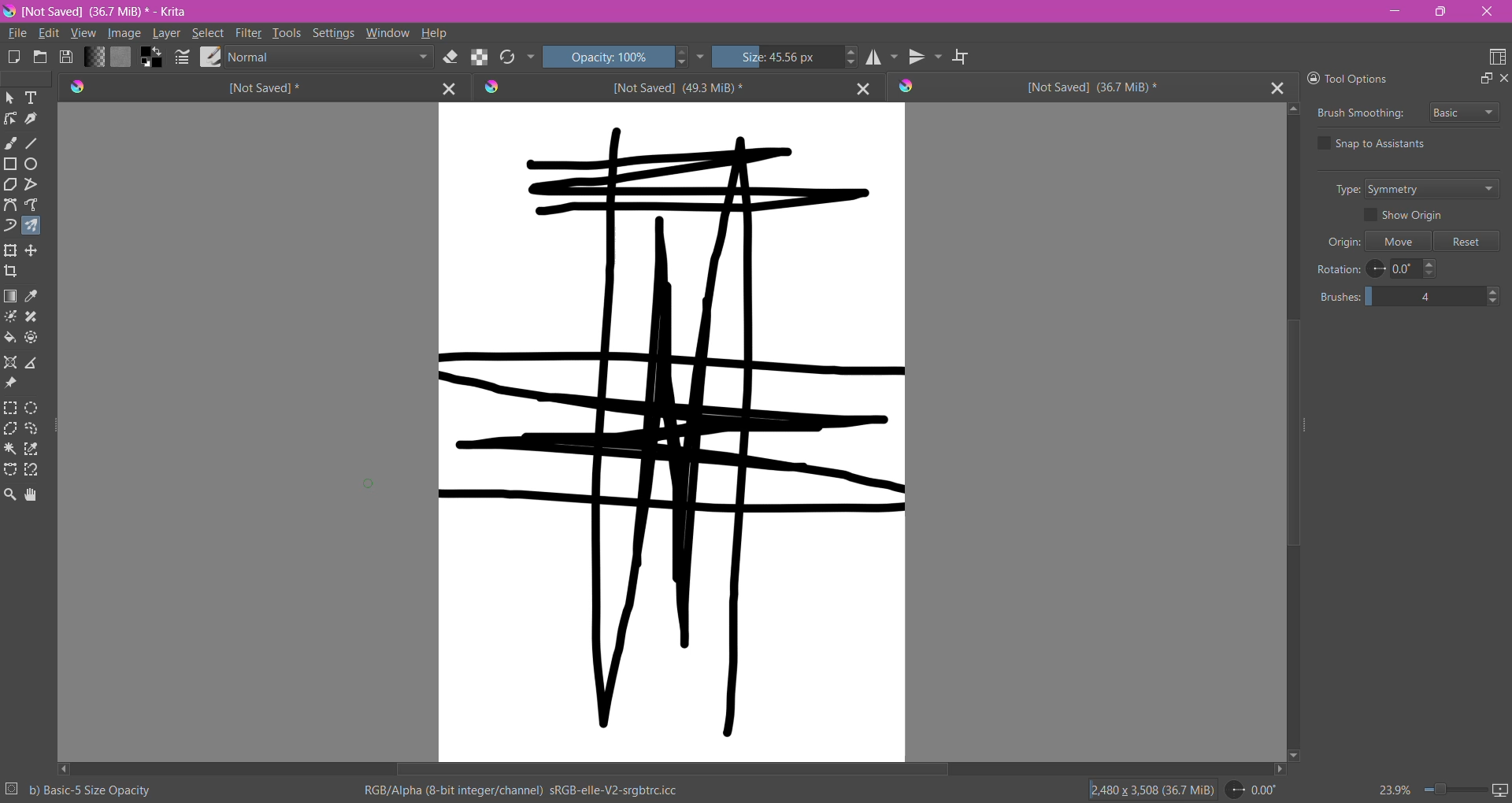 The width and height of the screenshot is (1512, 803). I want to click on Move, so click(1400, 243).